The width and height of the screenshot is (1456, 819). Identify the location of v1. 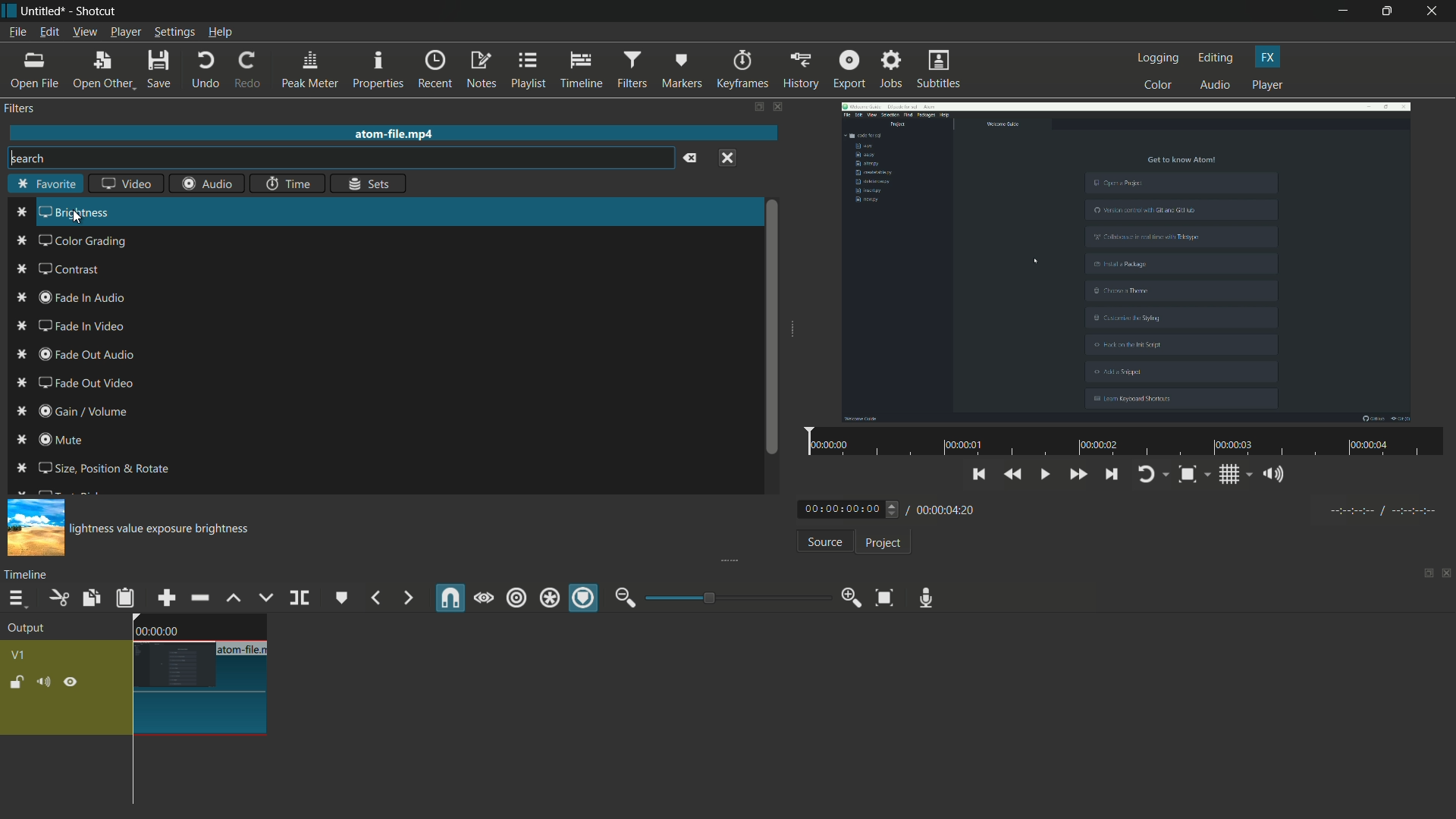
(21, 654).